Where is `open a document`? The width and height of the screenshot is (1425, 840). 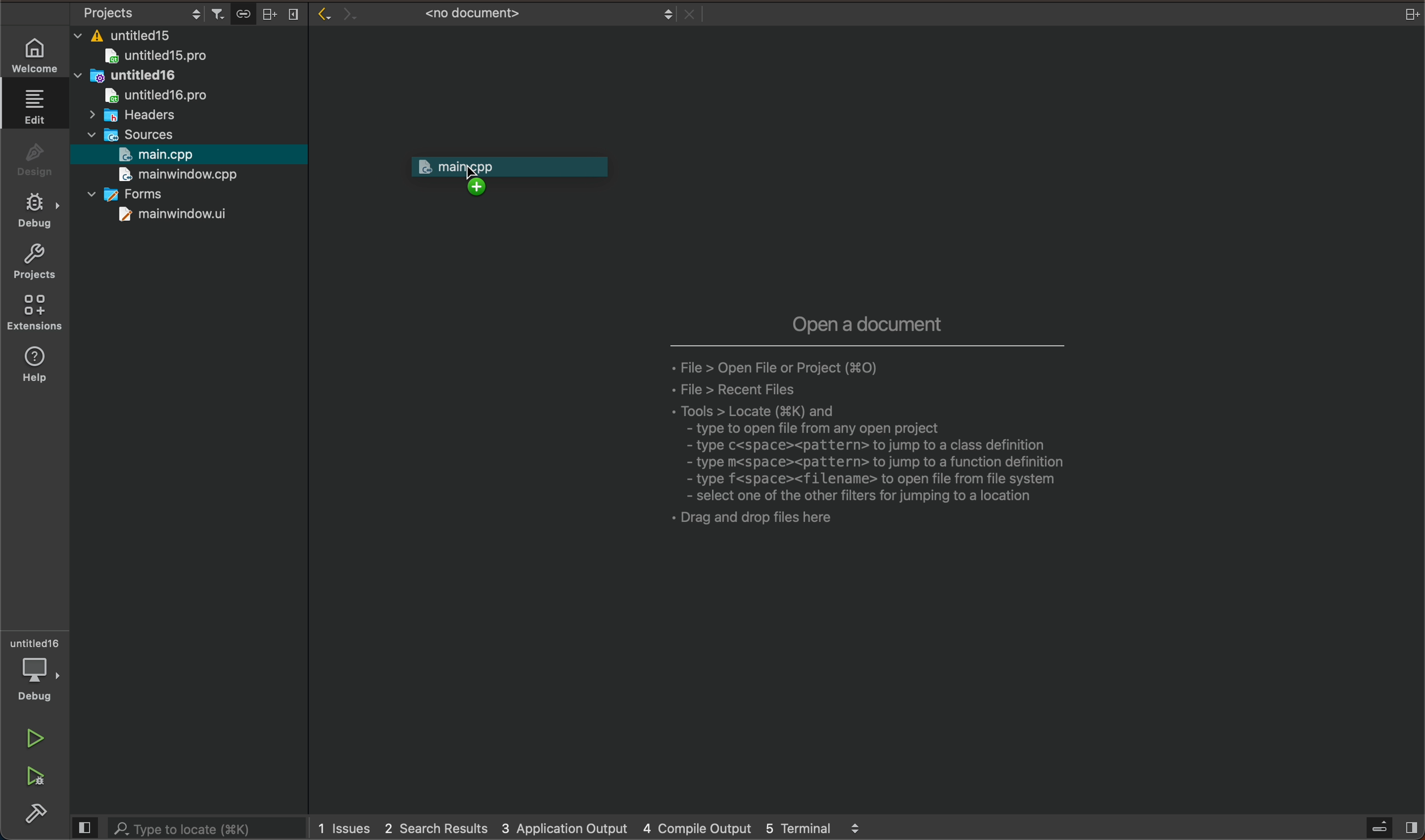
open a document is located at coordinates (835, 425).